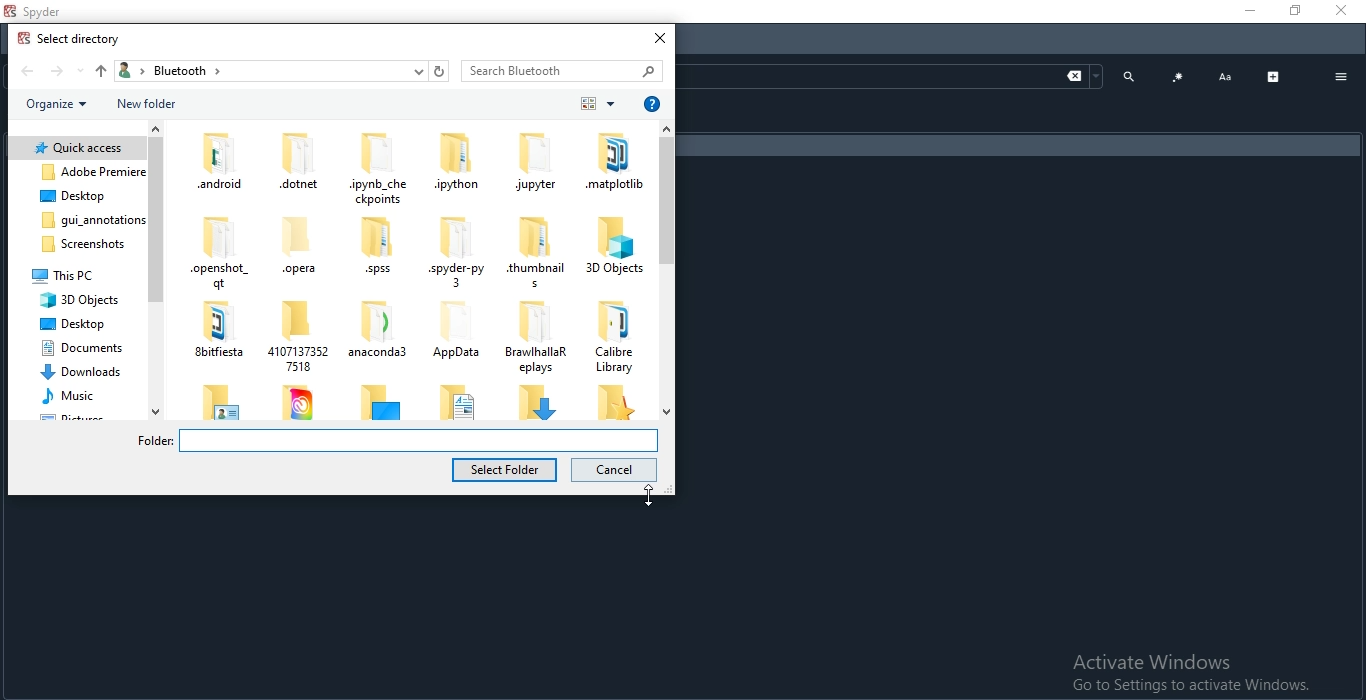  Describe the element at coordinates (217, 401) in the screenshot. I see `folder` at that location.